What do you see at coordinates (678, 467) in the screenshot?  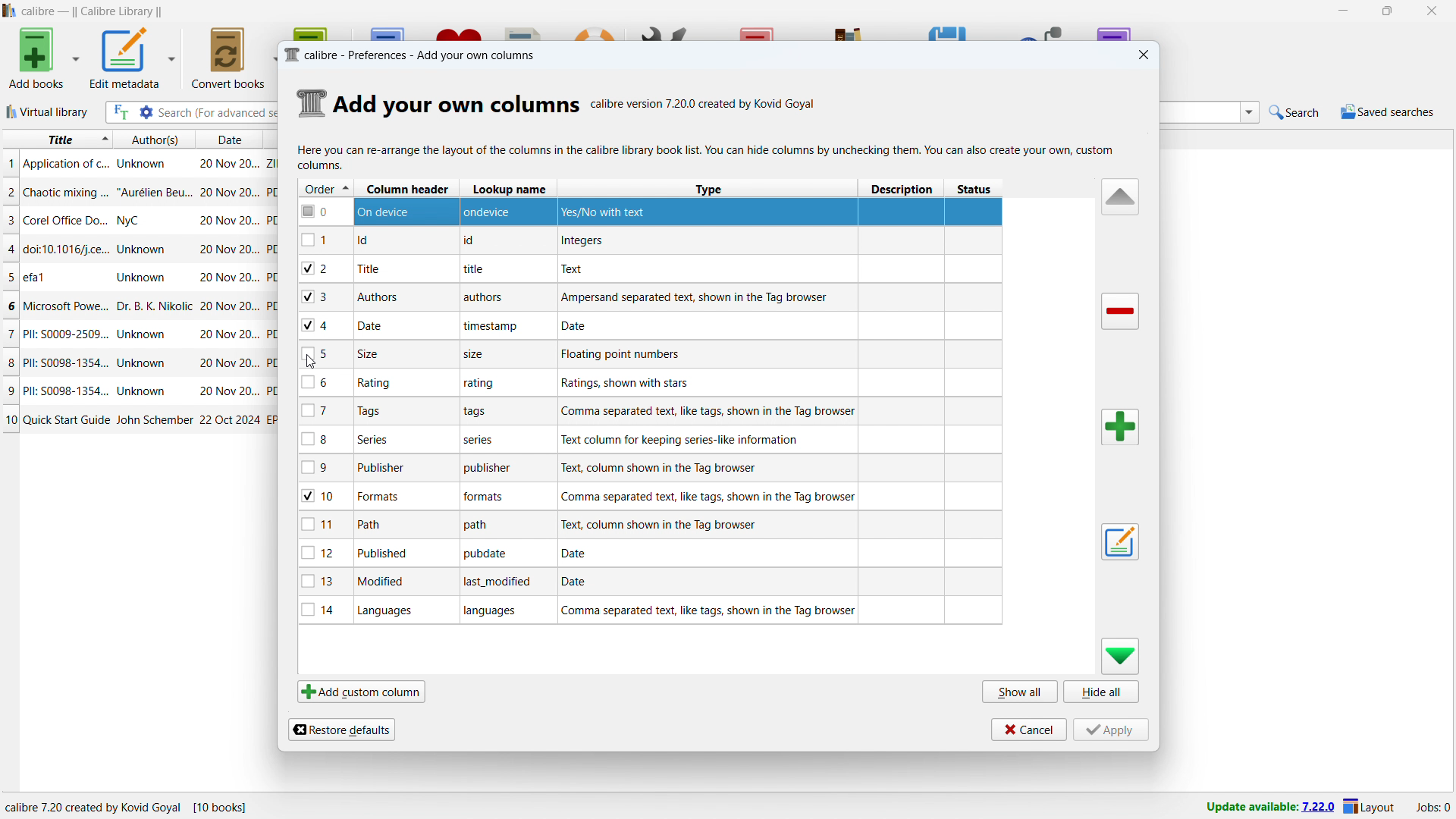 I see `Text, column shown in the Tag browser` at bounding box center [678, 467].